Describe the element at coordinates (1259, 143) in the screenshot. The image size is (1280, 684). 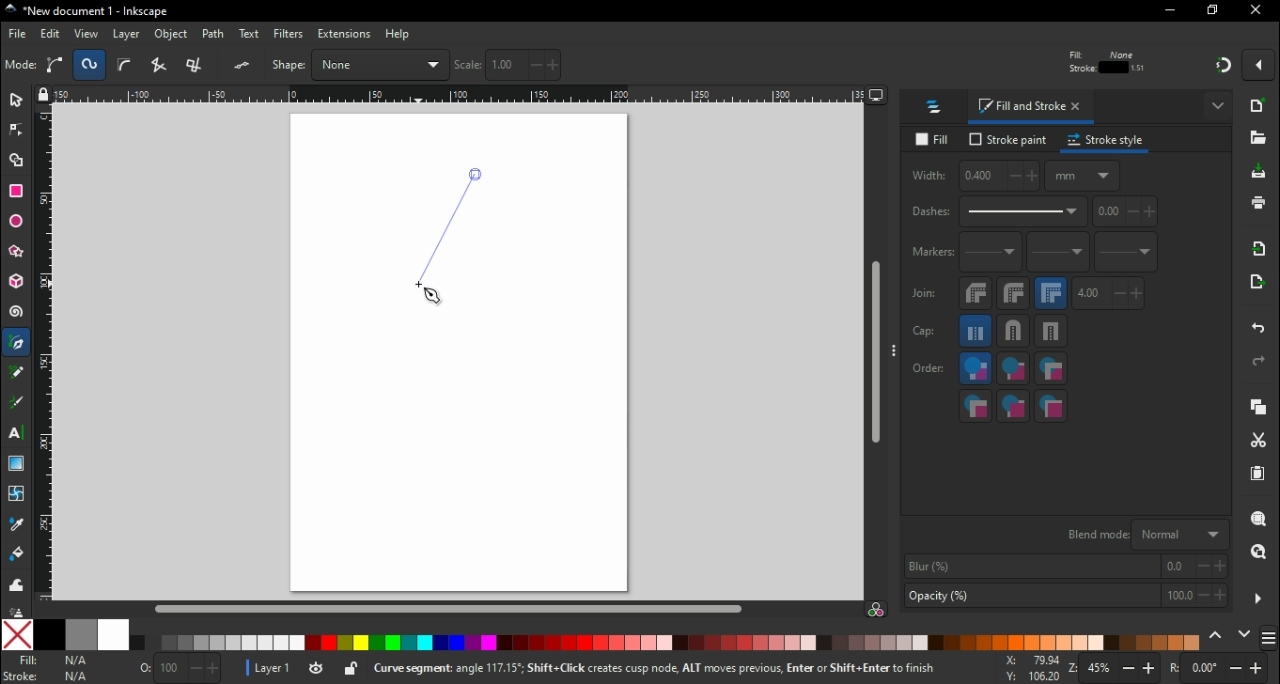
I see `open file dialogue` at that location.